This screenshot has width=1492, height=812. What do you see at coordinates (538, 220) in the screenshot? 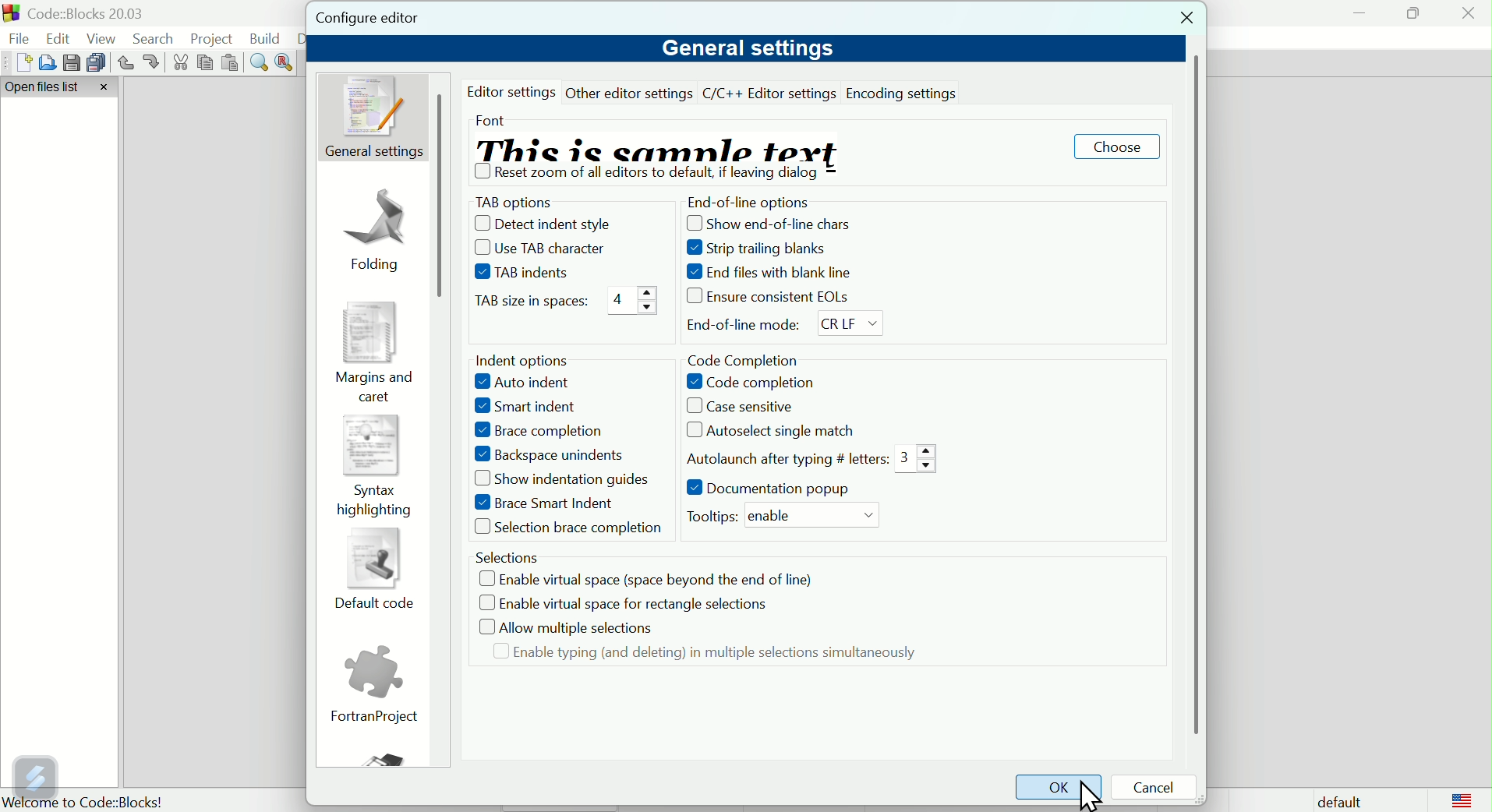
I see `Decent indent style` at bounding box center [538, 220].